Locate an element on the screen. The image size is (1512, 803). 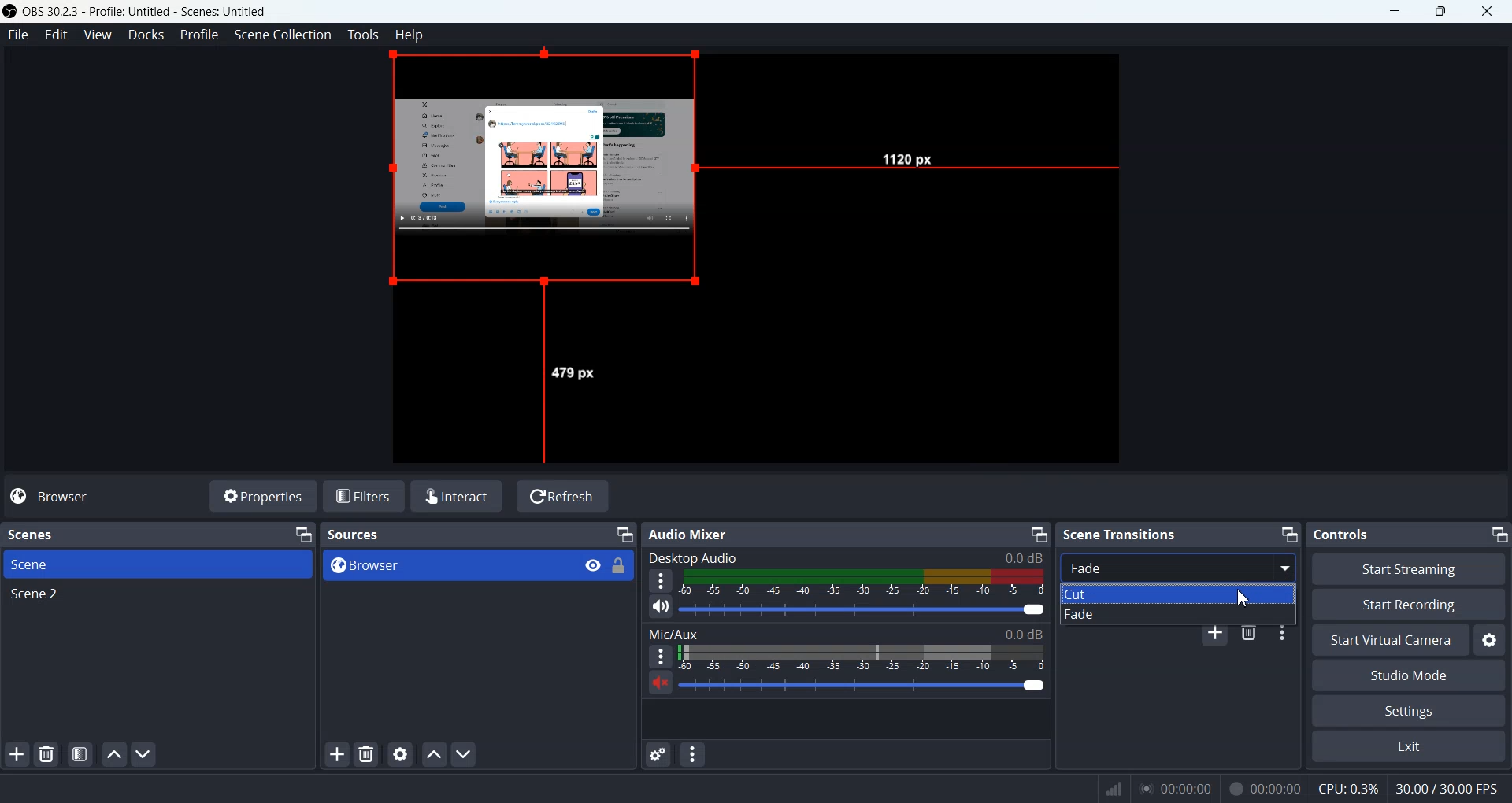
Add configurable transition is located at coordinates (1214, 636).